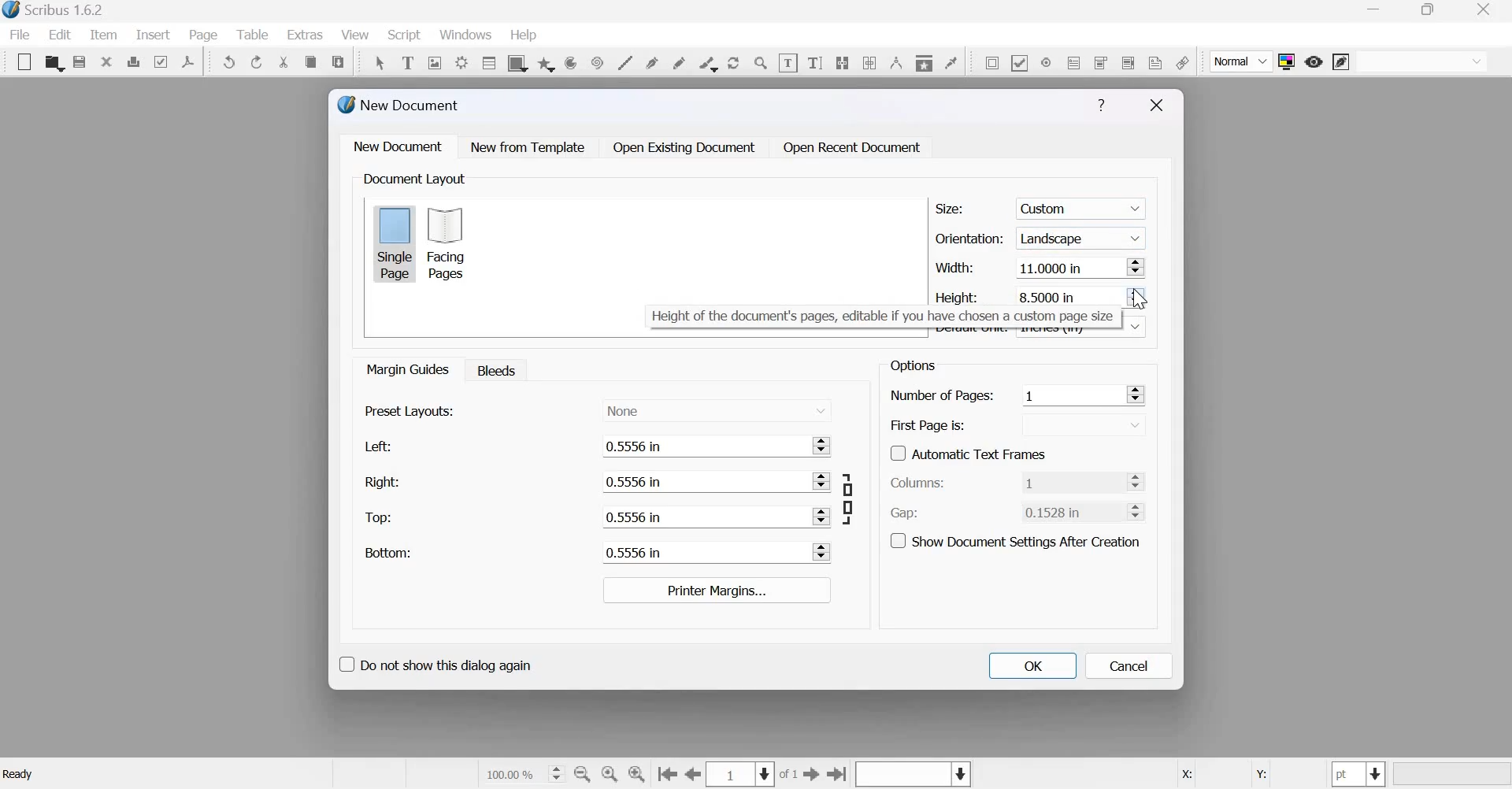  Describe the element at coordinates (310, 62) in the screenshot. I see `copy` at that location.